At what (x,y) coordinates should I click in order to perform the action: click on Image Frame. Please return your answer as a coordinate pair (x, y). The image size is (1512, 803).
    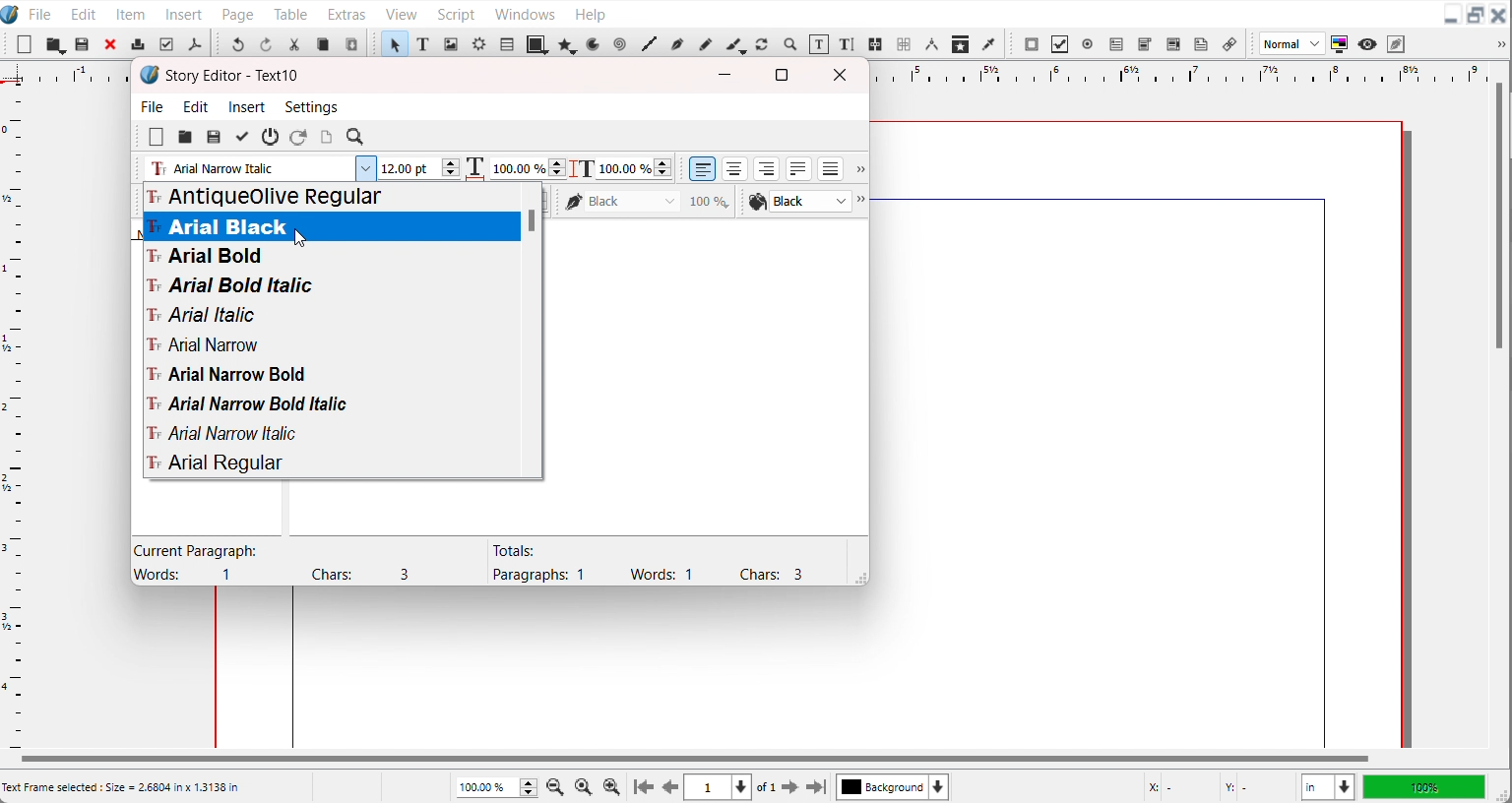
    Looking at the image, I should click on (451, 43).